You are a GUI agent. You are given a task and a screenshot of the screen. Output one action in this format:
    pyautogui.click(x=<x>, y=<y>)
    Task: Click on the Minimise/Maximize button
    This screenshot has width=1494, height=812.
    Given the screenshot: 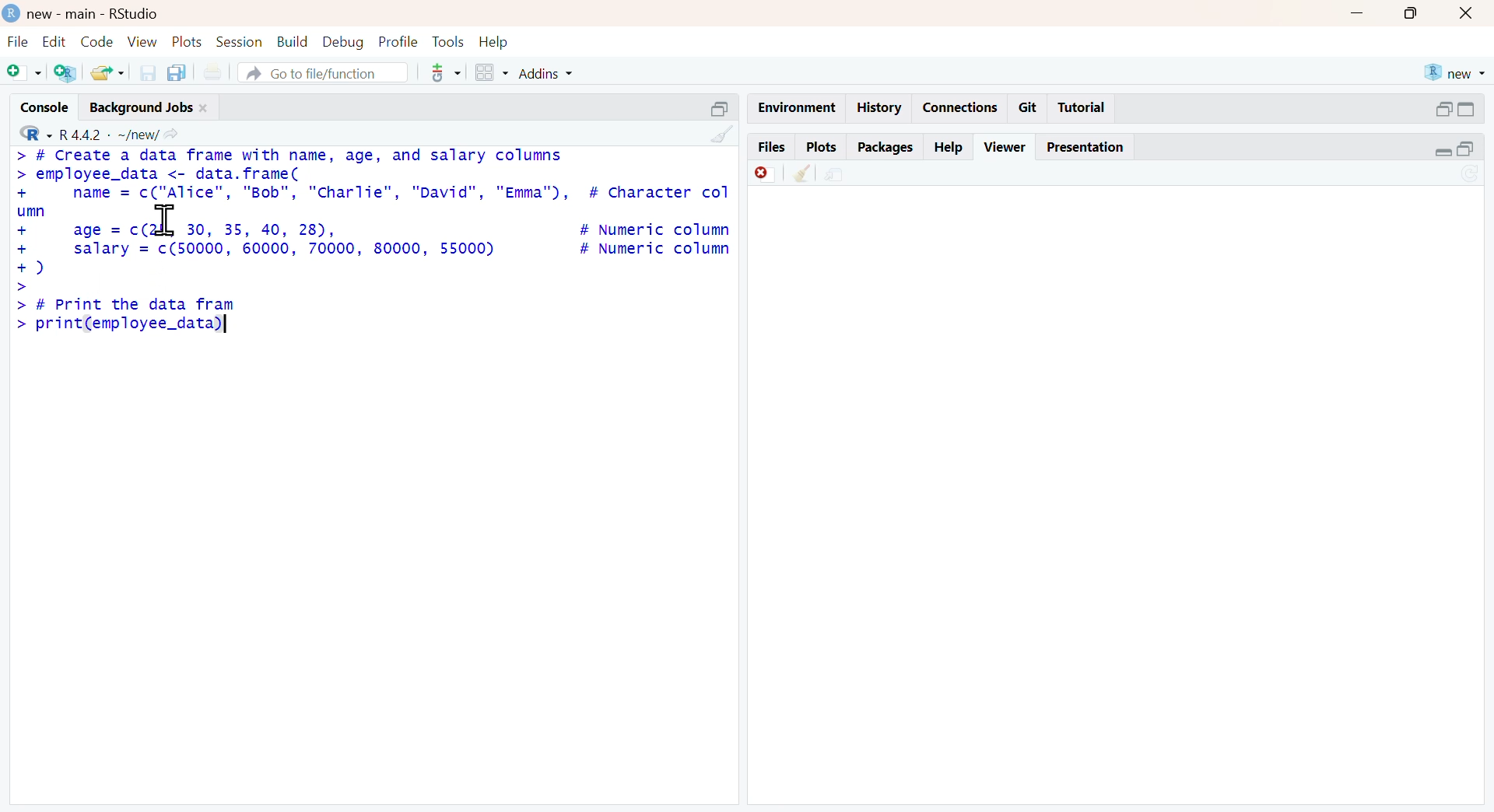 What is the action you would take?
    pyautogui.click(x=1457, y=109)
    